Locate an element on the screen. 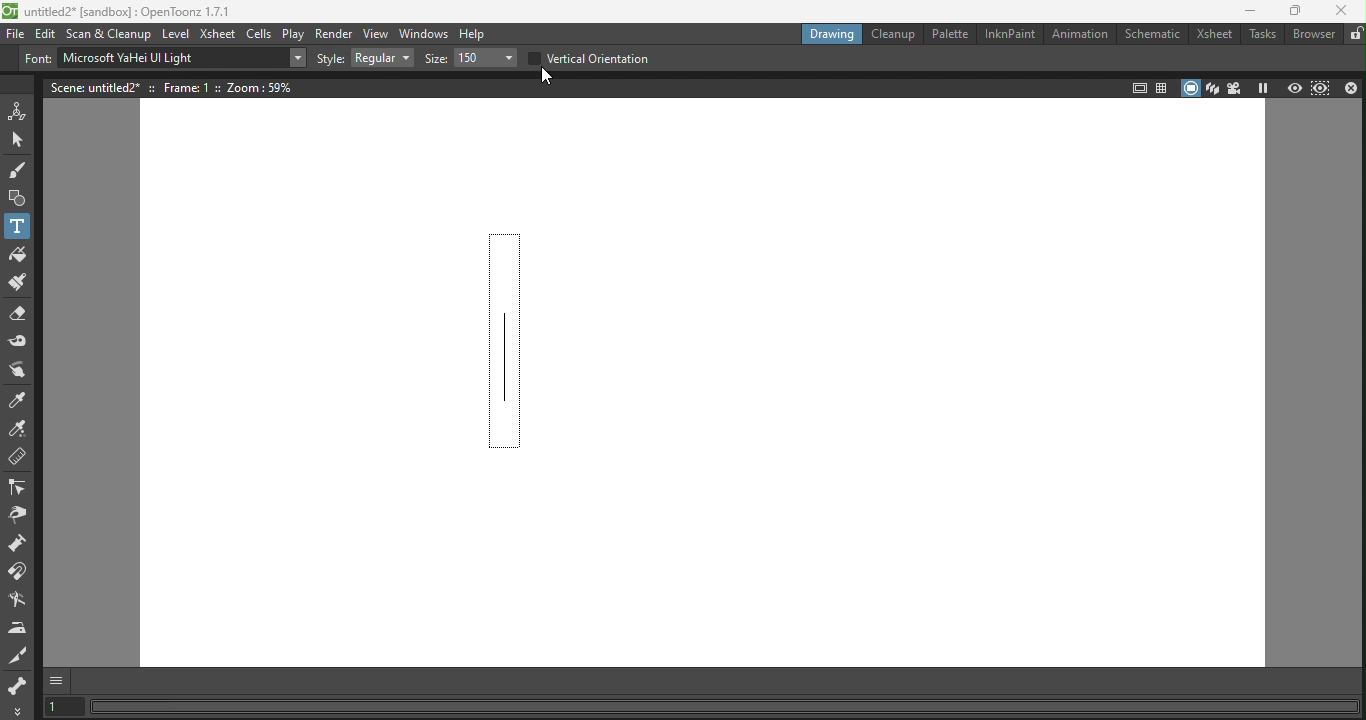 The width and height of the screenshot is (1366, 720). Tasks is located at coordinates (1259, 35).